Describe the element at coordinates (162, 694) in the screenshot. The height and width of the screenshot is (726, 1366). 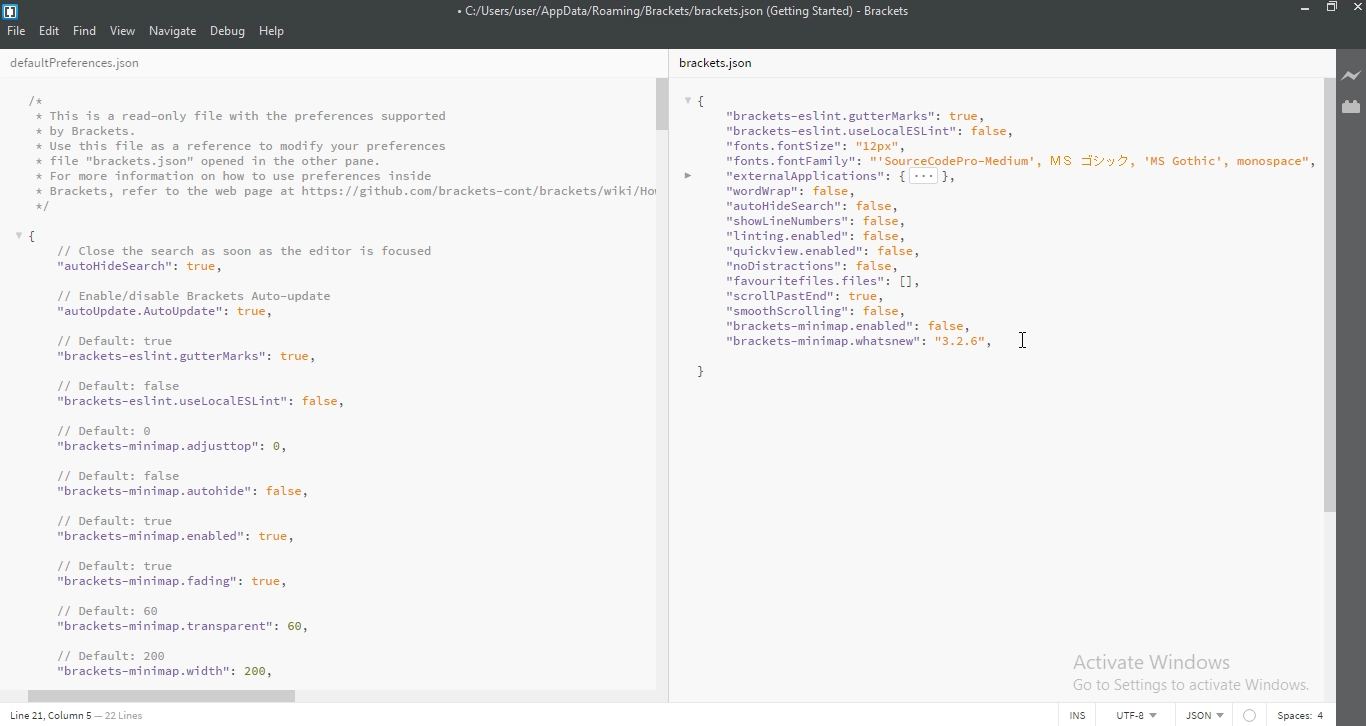
I see `scroll bar` at that location.